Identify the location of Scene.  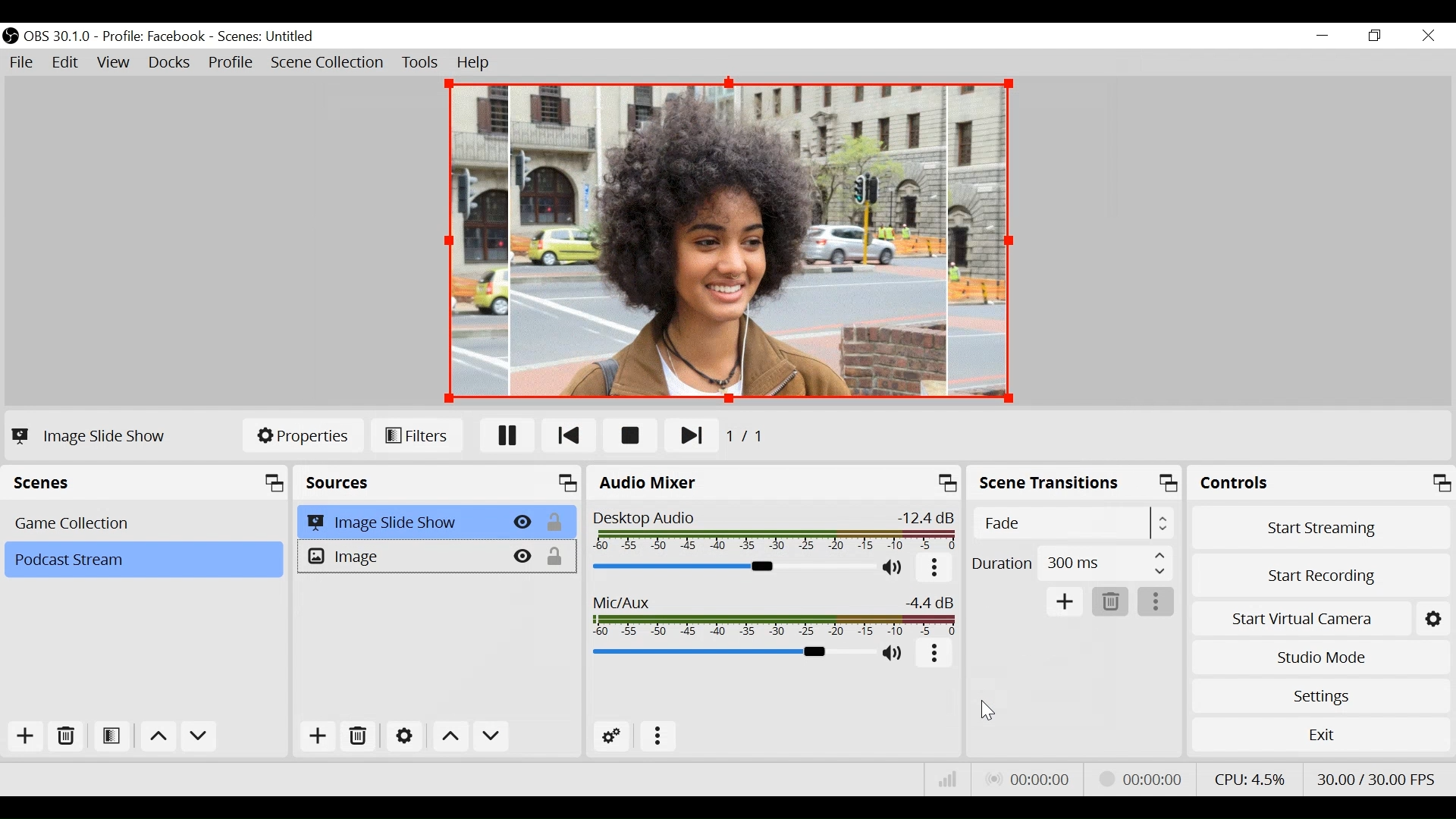
(268, 37).